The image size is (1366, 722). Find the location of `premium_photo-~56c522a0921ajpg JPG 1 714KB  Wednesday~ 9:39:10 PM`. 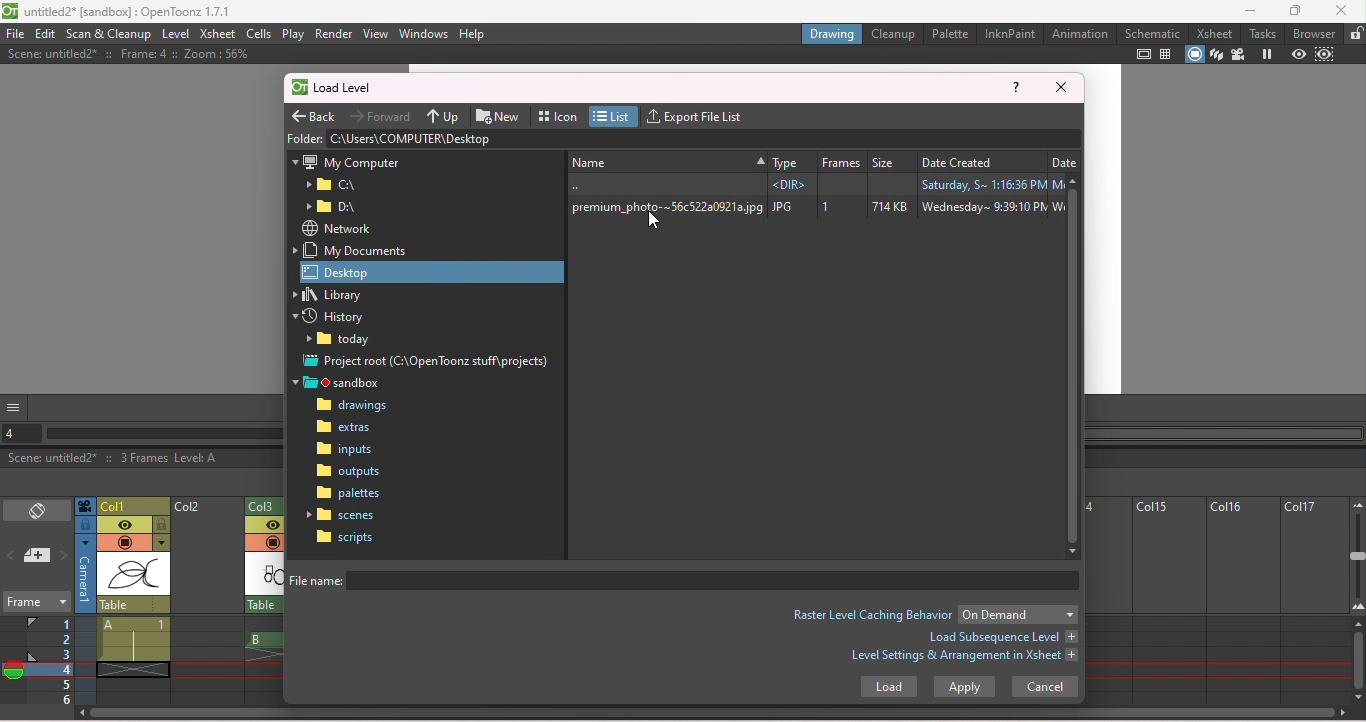

premium_photo-~56c522a0921ajpg JPG 1 714KB  Wednesday~ 9:39:10 PM is located at coordinates (811, 207).